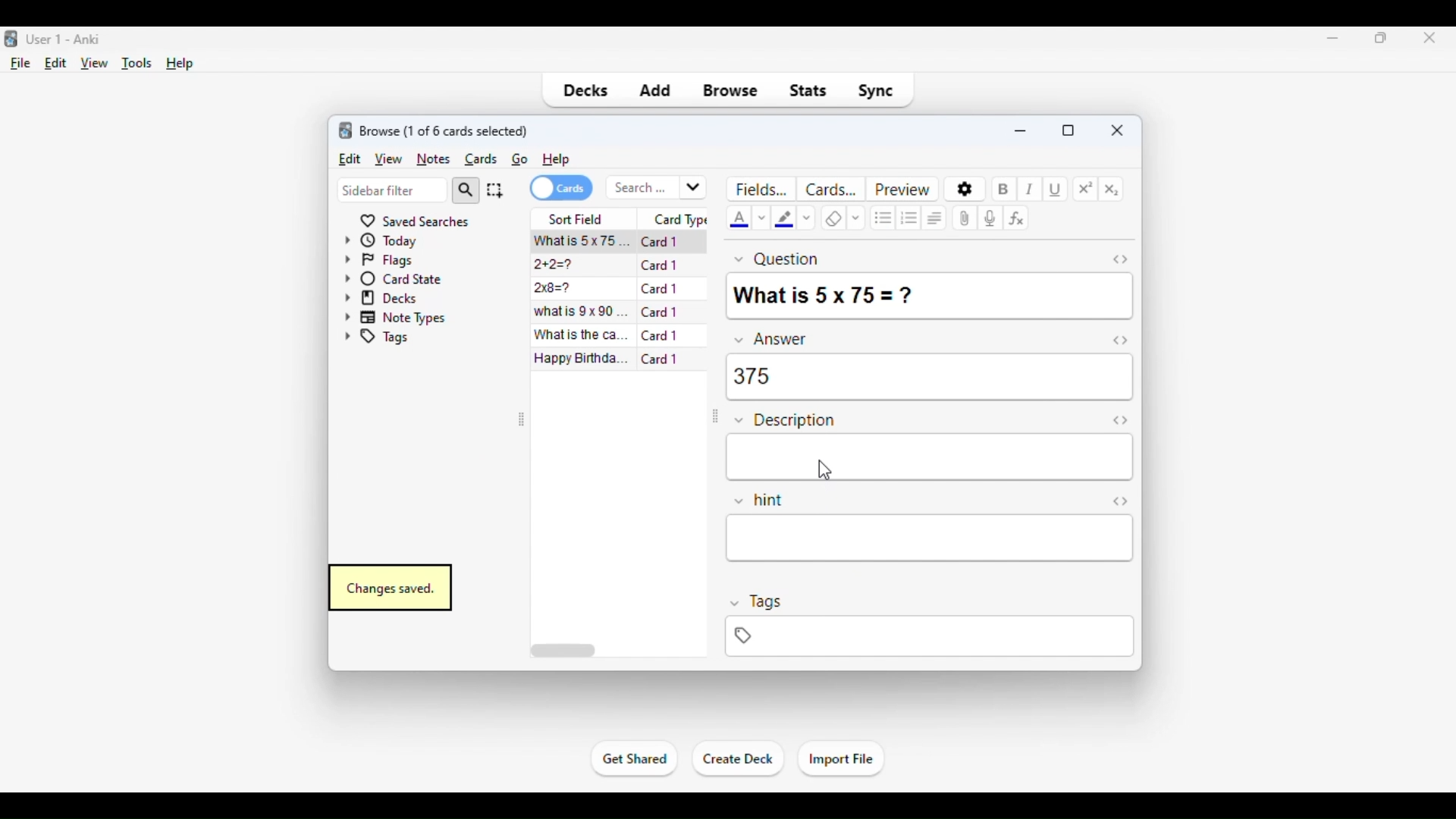 The height and width of the screenshot is (819, 1456). Describe the element at coordinates (635, 758) in the screenshot. I see `get shared` at that location.